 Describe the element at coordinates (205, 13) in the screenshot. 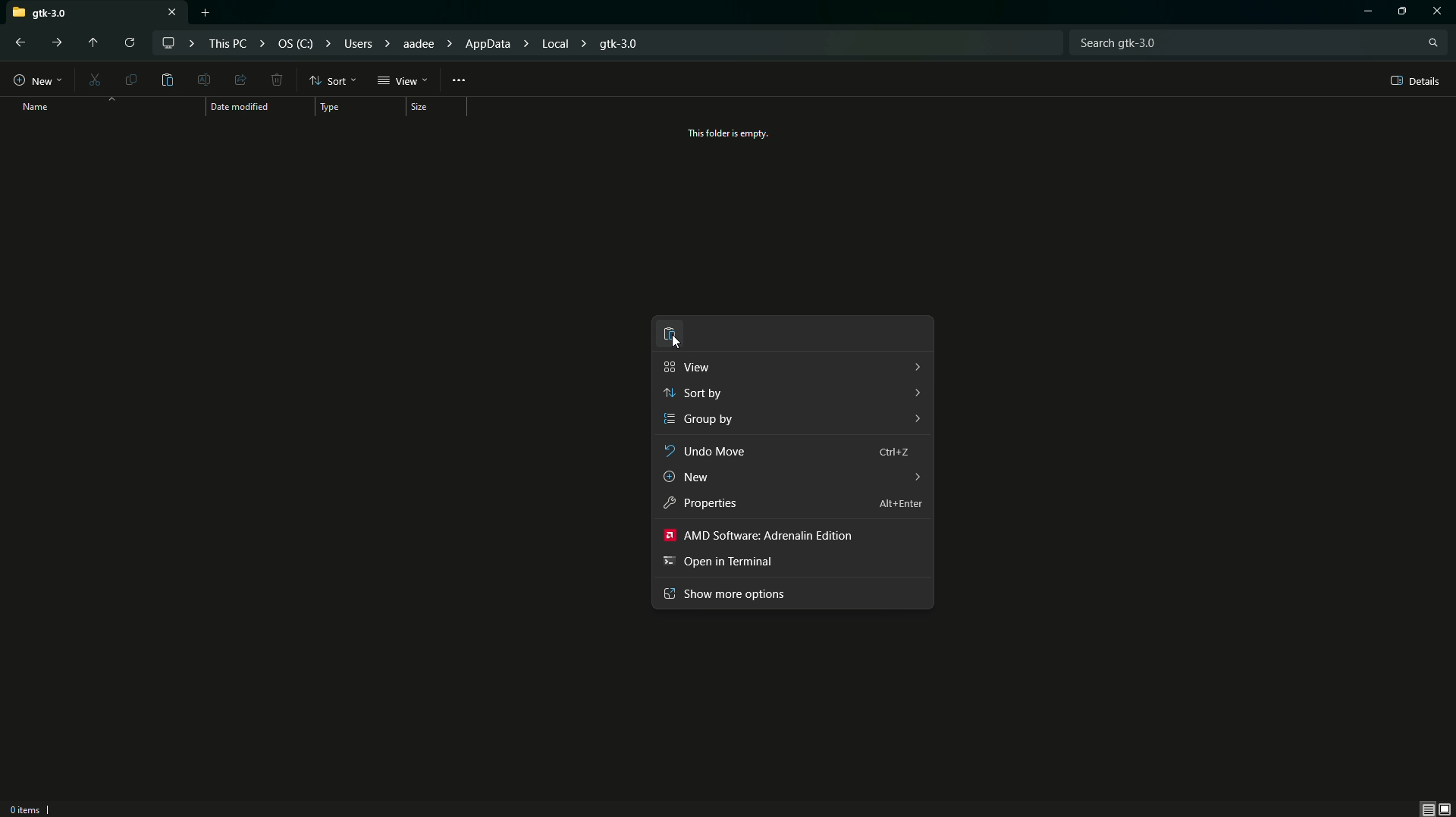

I see `New tab` at that location.